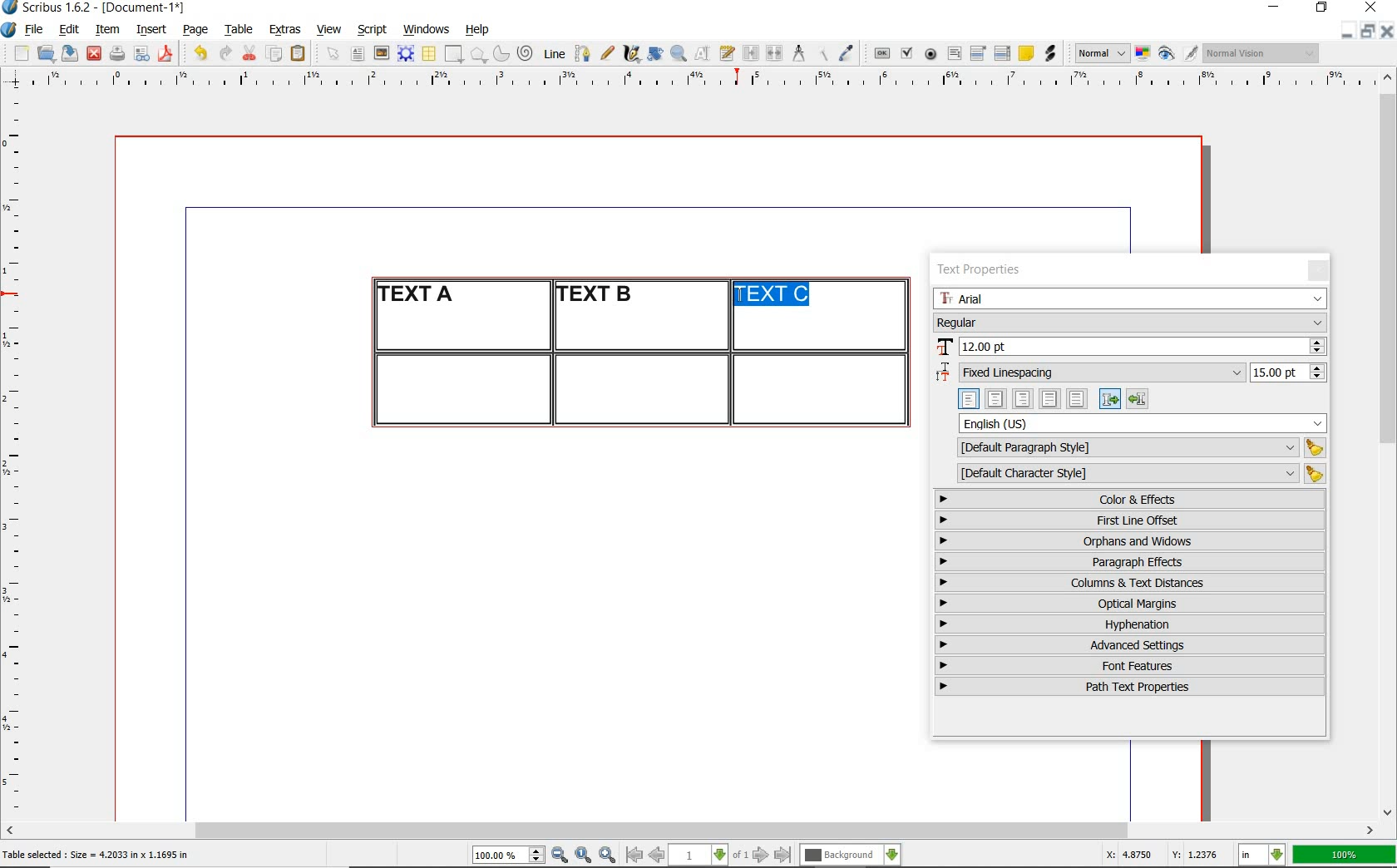 This screenshot has width=1397, height=868. What do you see at coordinates (581, 53) in the screenshot?
I see `Bezier curve` at bounding box center [581, 53].